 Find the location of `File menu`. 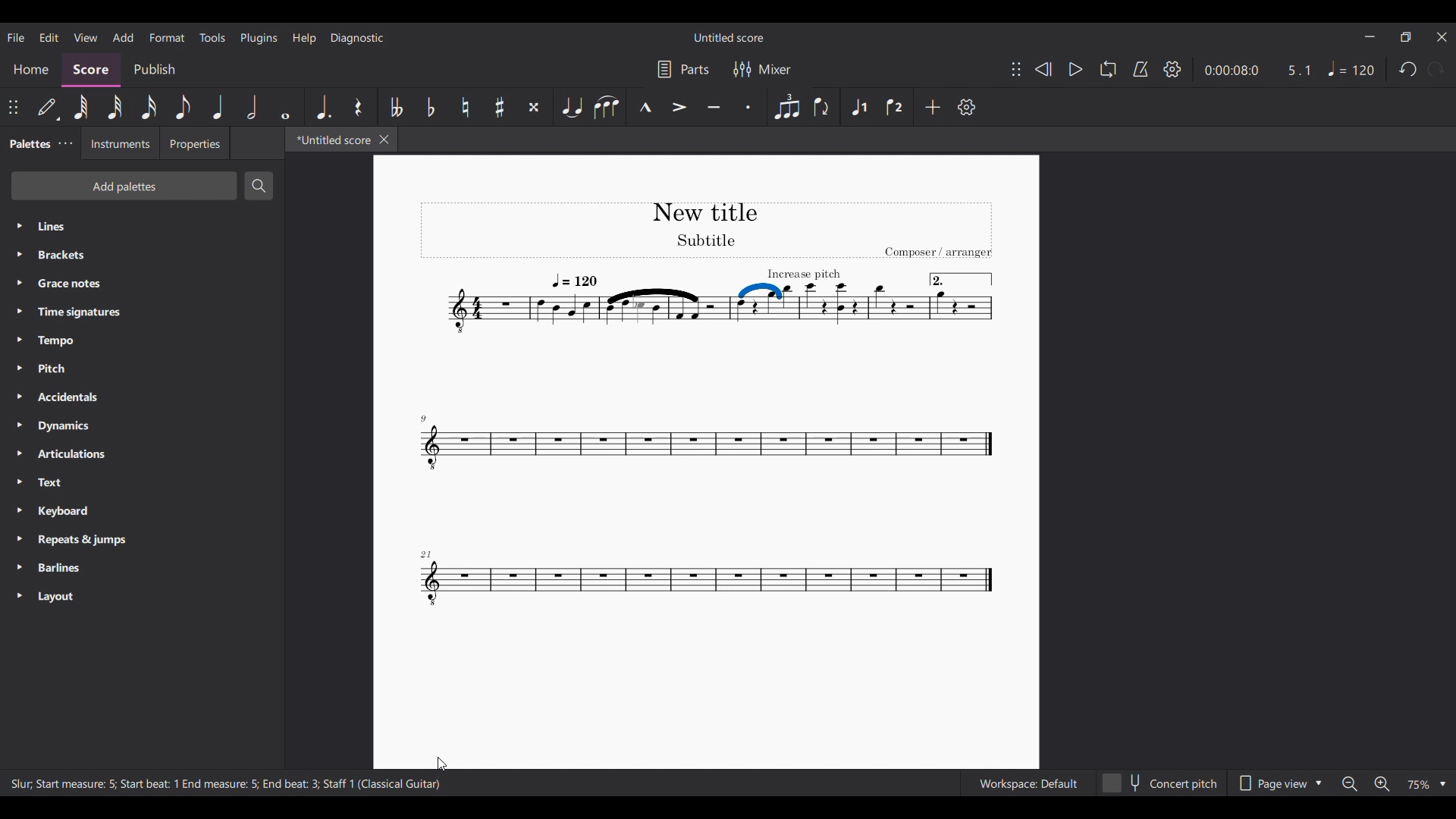

File menu is located at coordinates (17, 37).